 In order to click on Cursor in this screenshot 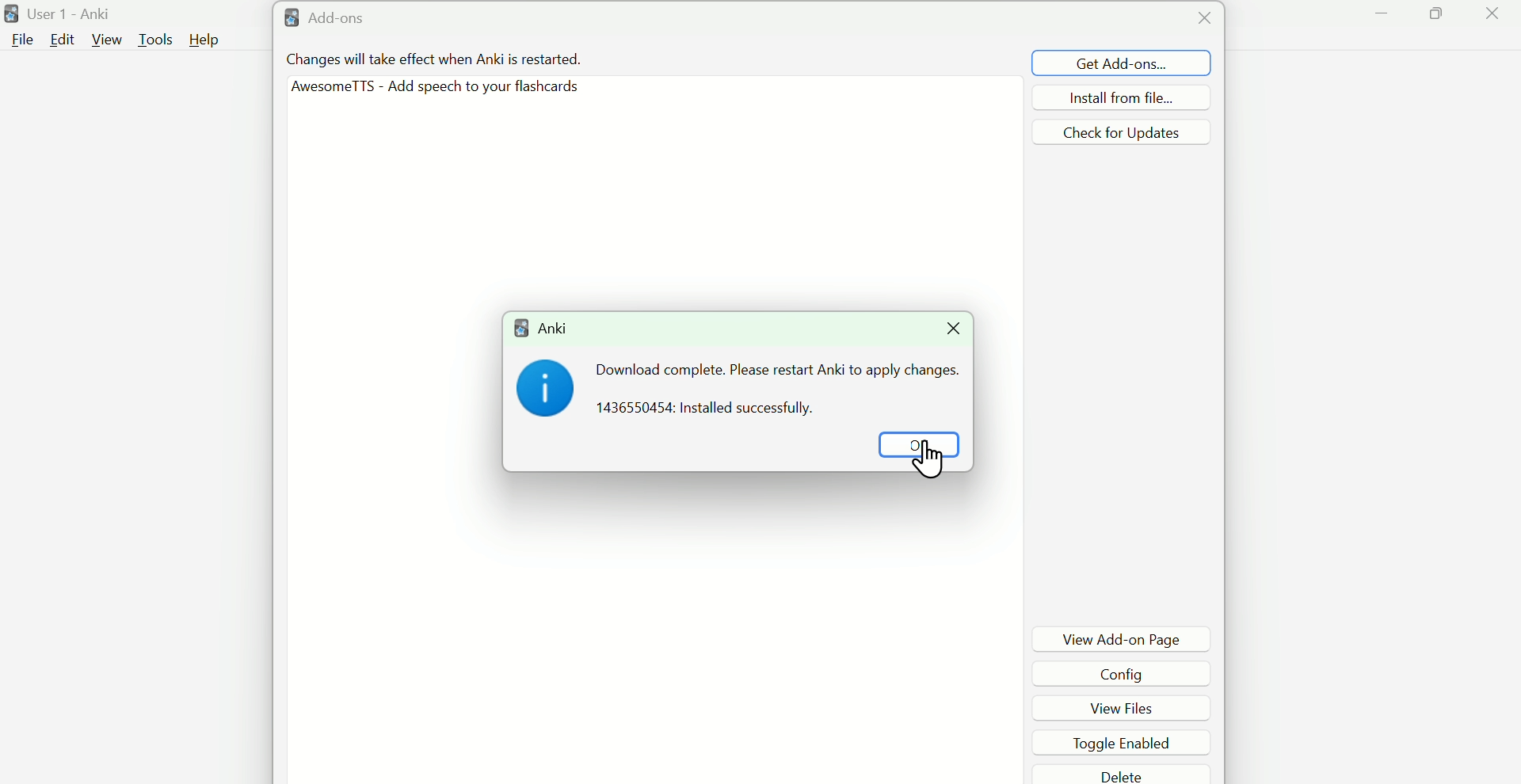, I will do `click(927, 462)`.